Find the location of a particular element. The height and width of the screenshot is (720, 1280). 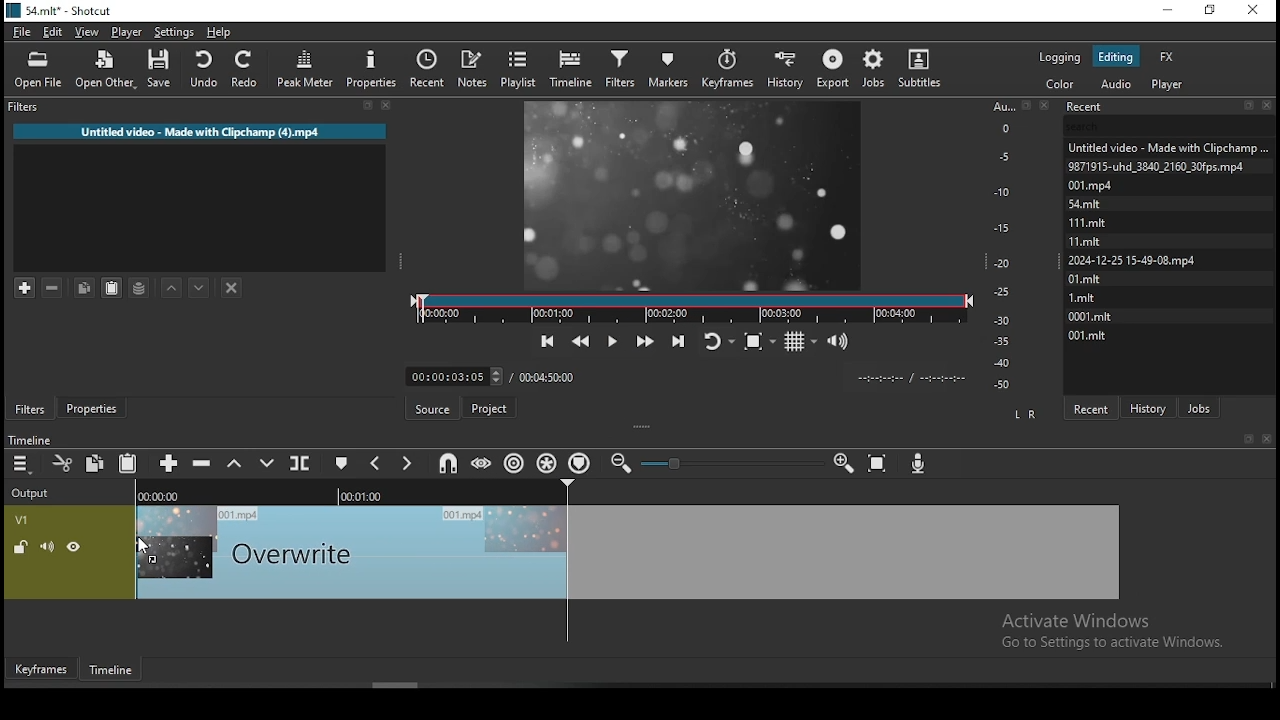

timeline is located at coordinates (348, 493).